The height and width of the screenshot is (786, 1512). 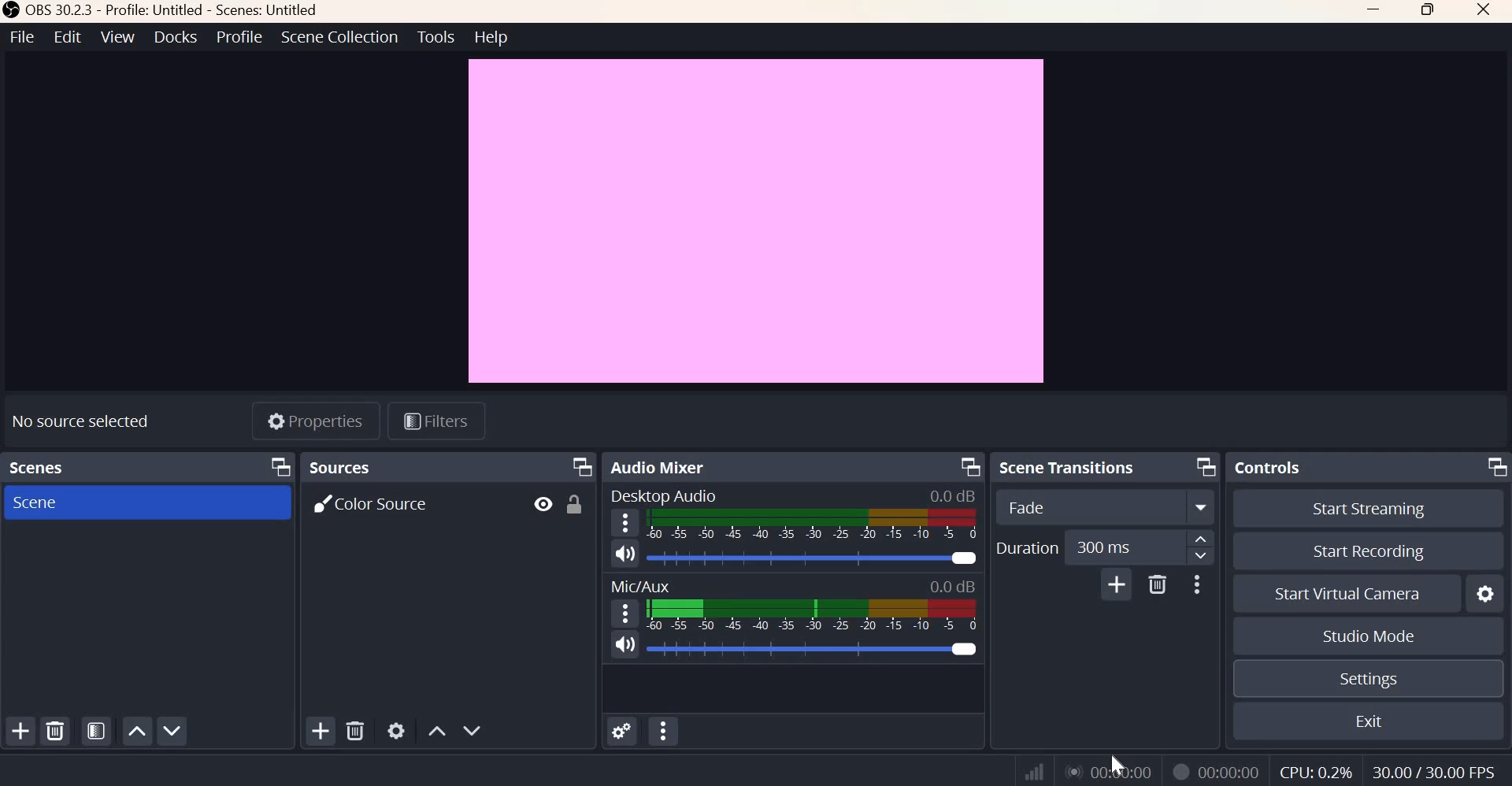 I want to click on Start streaming, so click(x=1360, y=507).